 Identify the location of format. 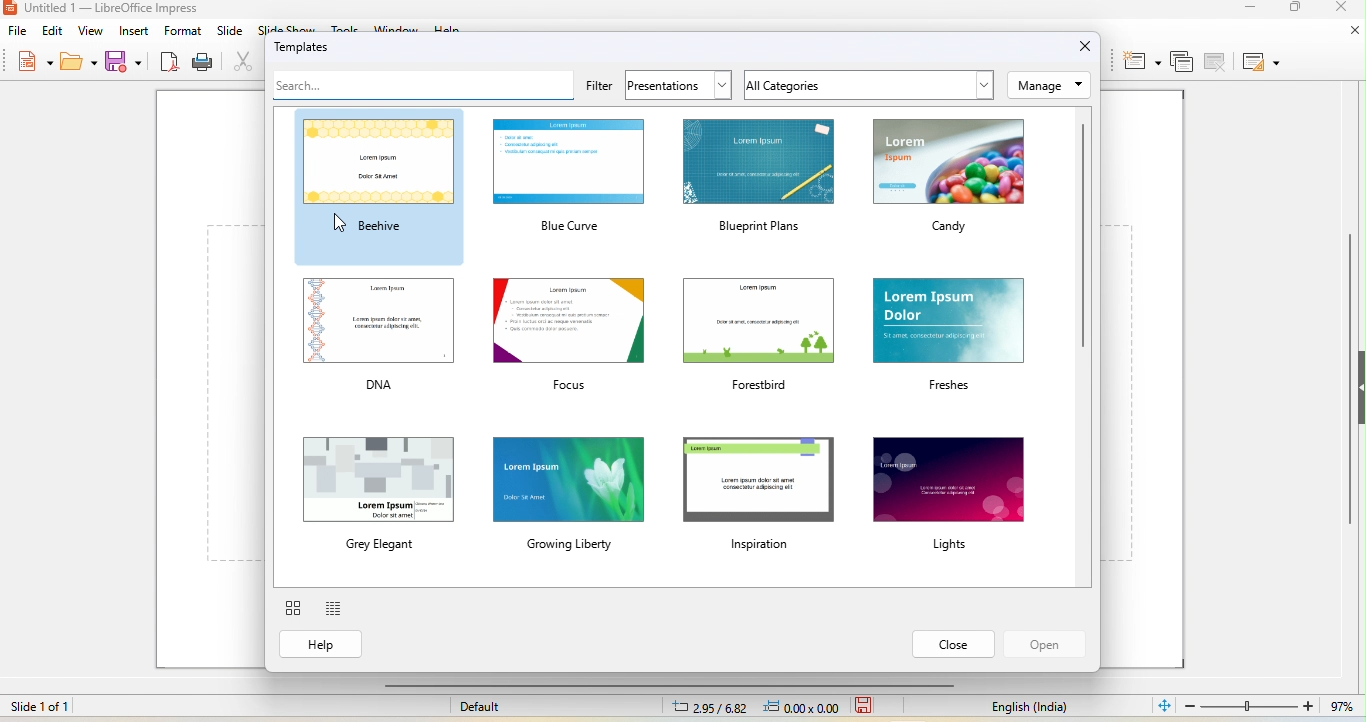
(184, 31).